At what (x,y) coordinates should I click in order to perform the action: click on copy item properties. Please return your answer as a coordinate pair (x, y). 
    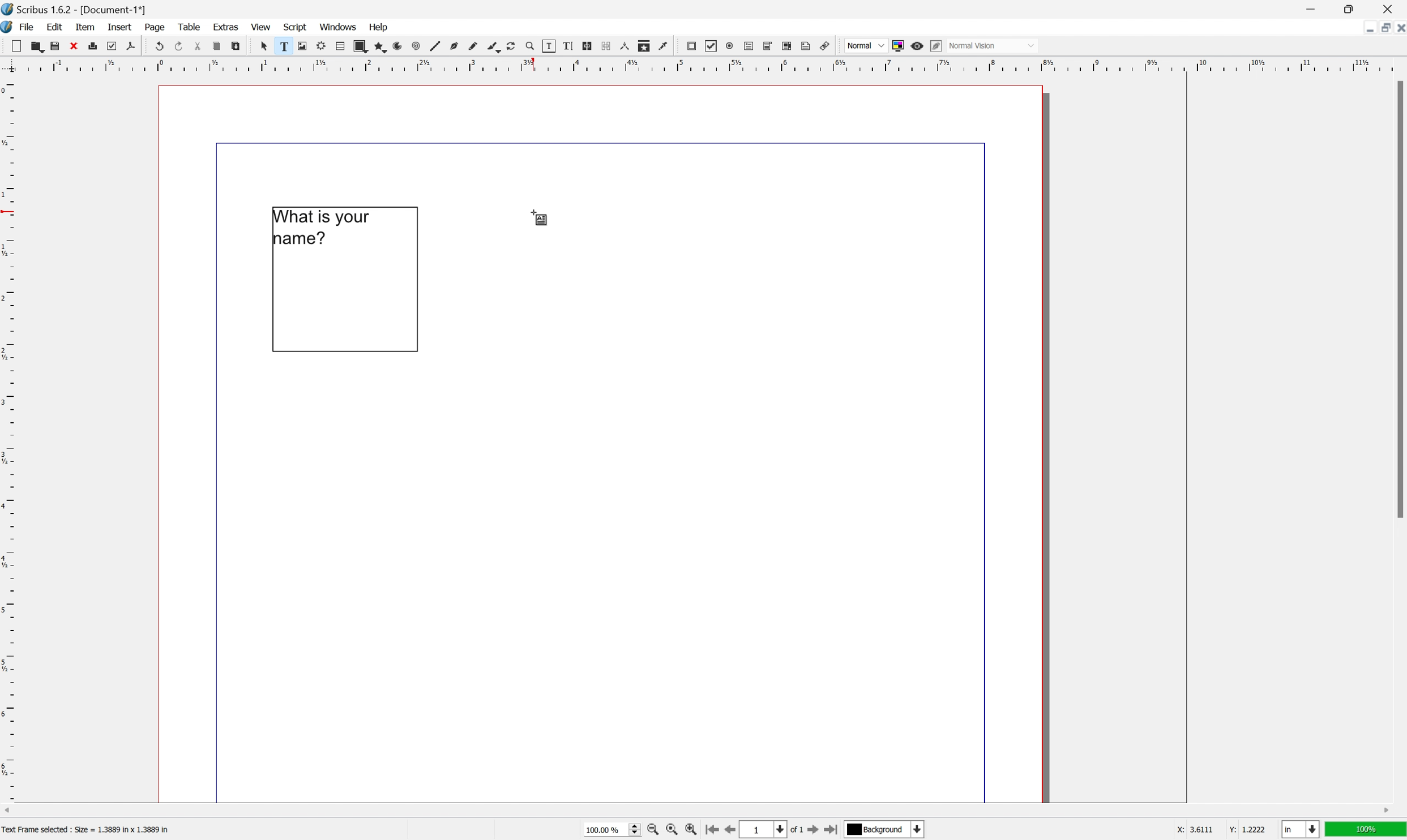
    Looking at the image, I should click on (643, 46).